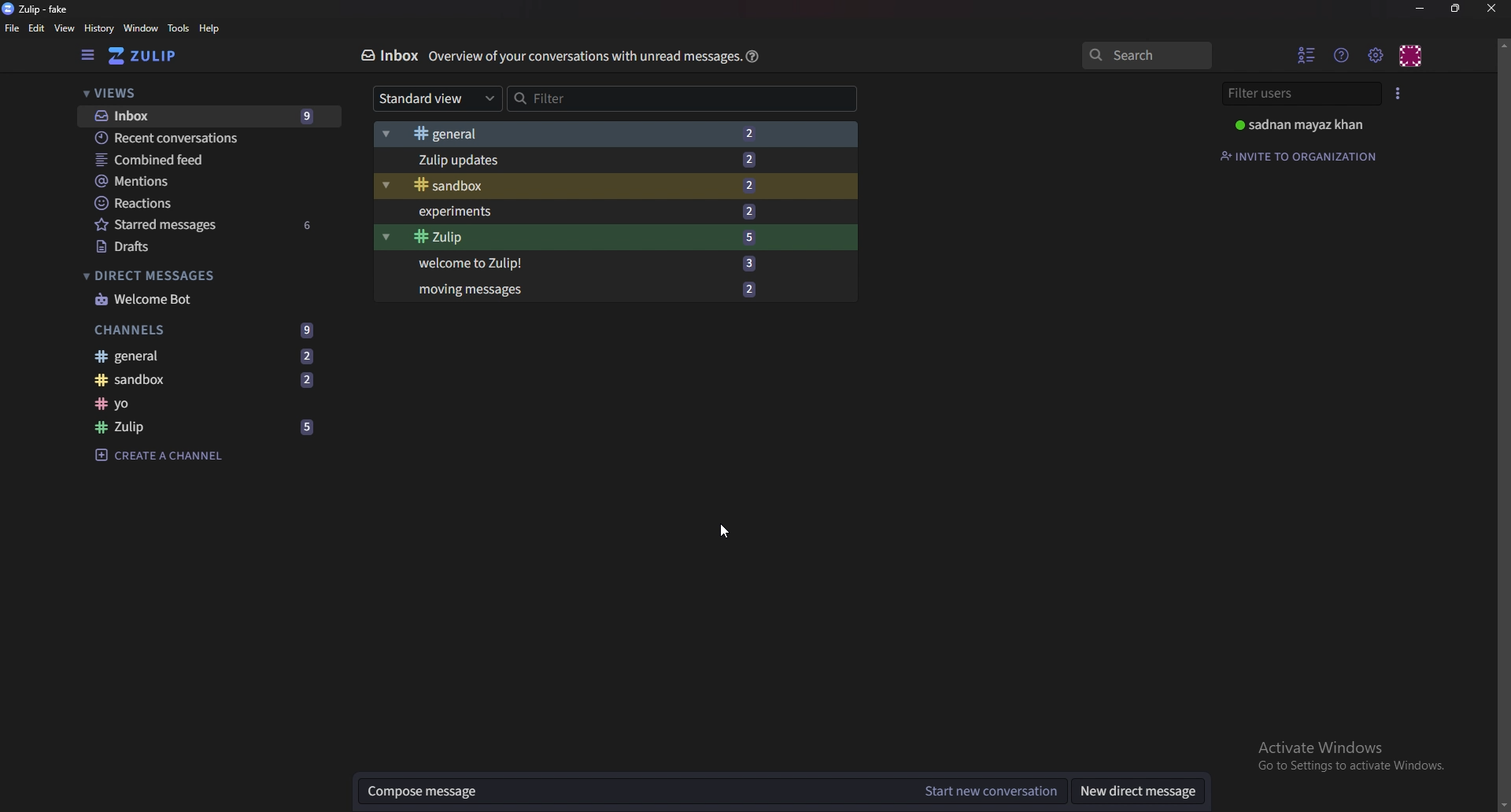 The height and width of the screenshot is (812, 1511). I want to click on General, so click(209, 356).